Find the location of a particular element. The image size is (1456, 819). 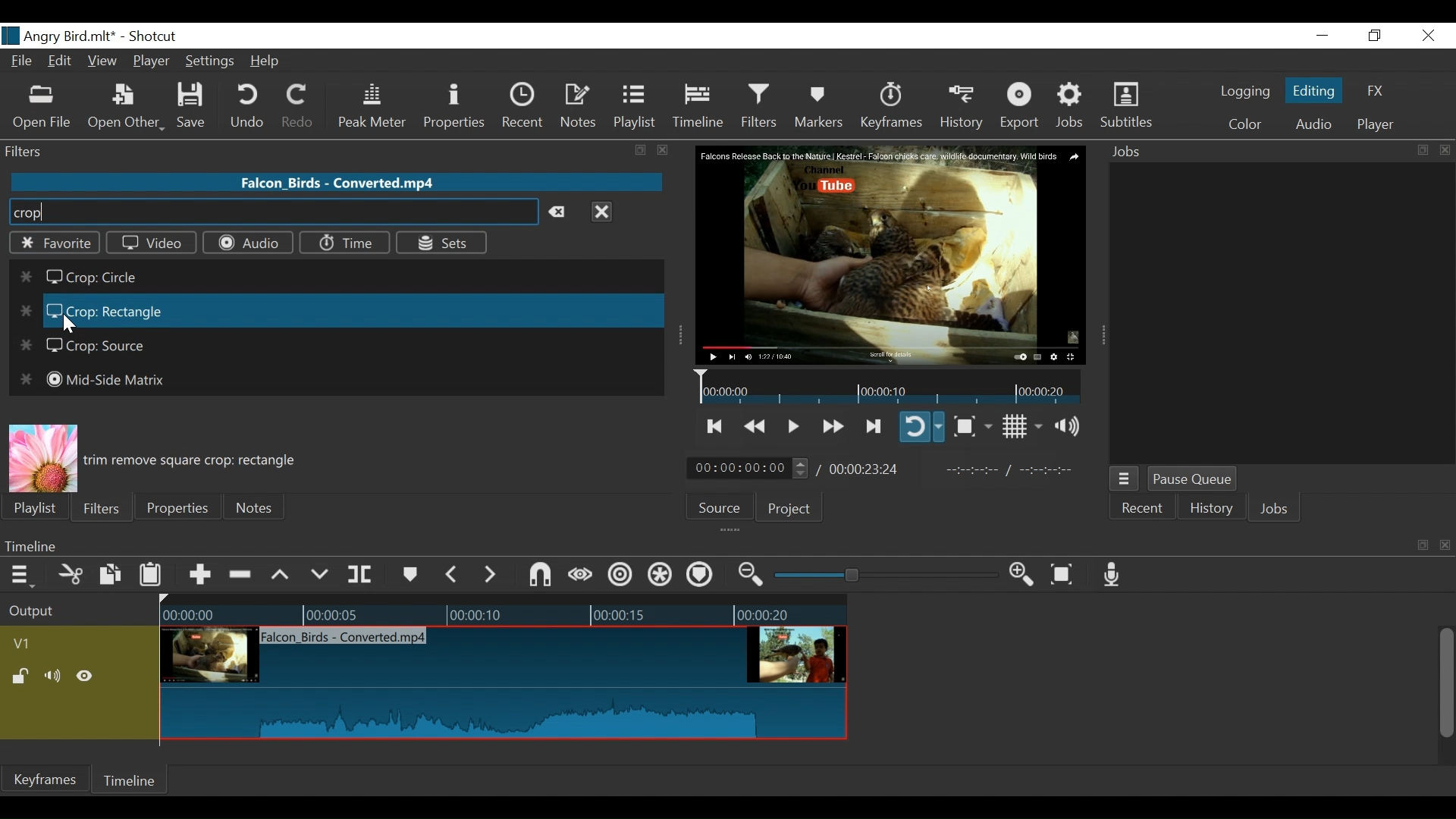

Current Duration is located at coordinates (748, 467).